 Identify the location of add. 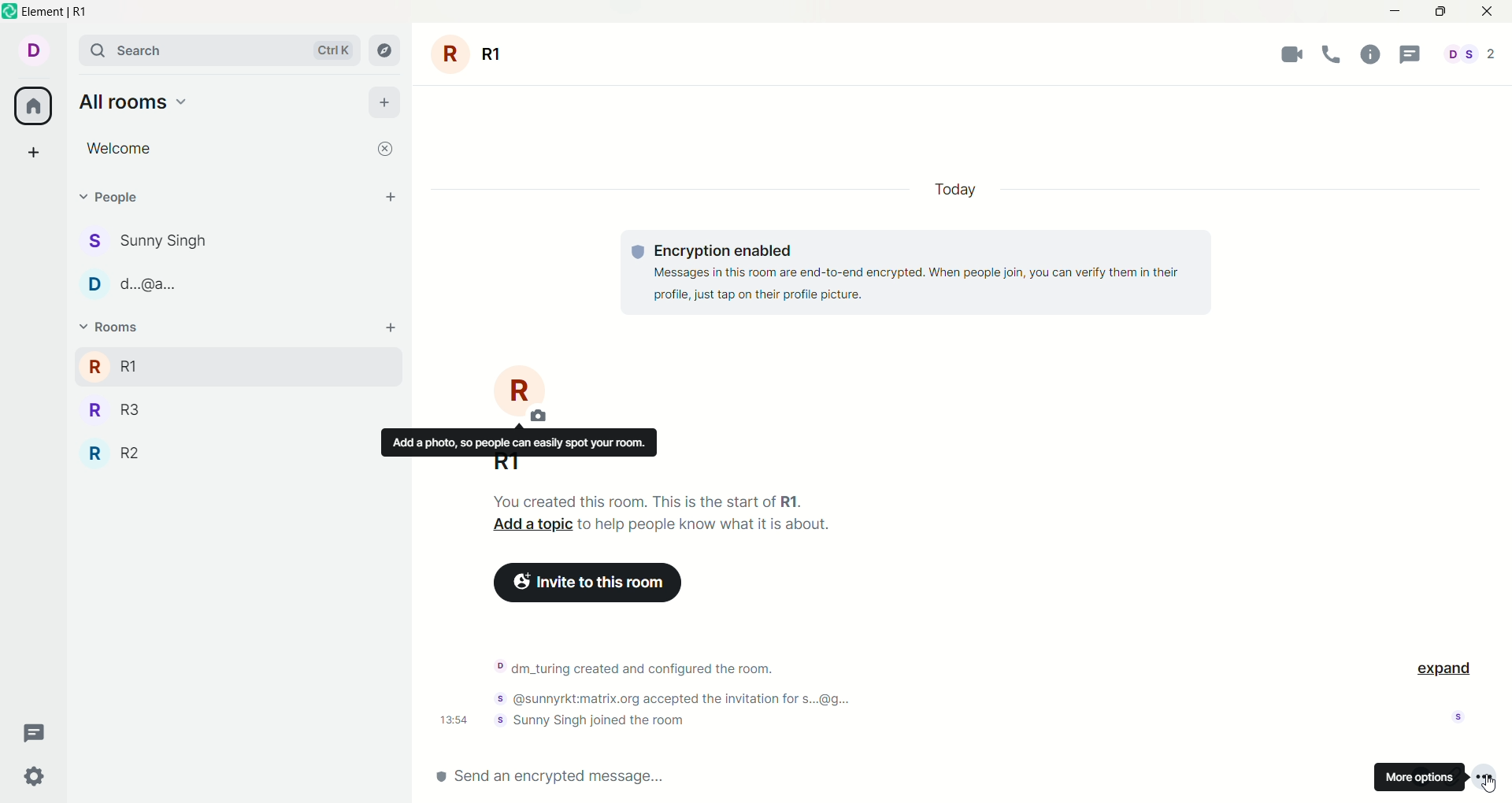
(391, 327).